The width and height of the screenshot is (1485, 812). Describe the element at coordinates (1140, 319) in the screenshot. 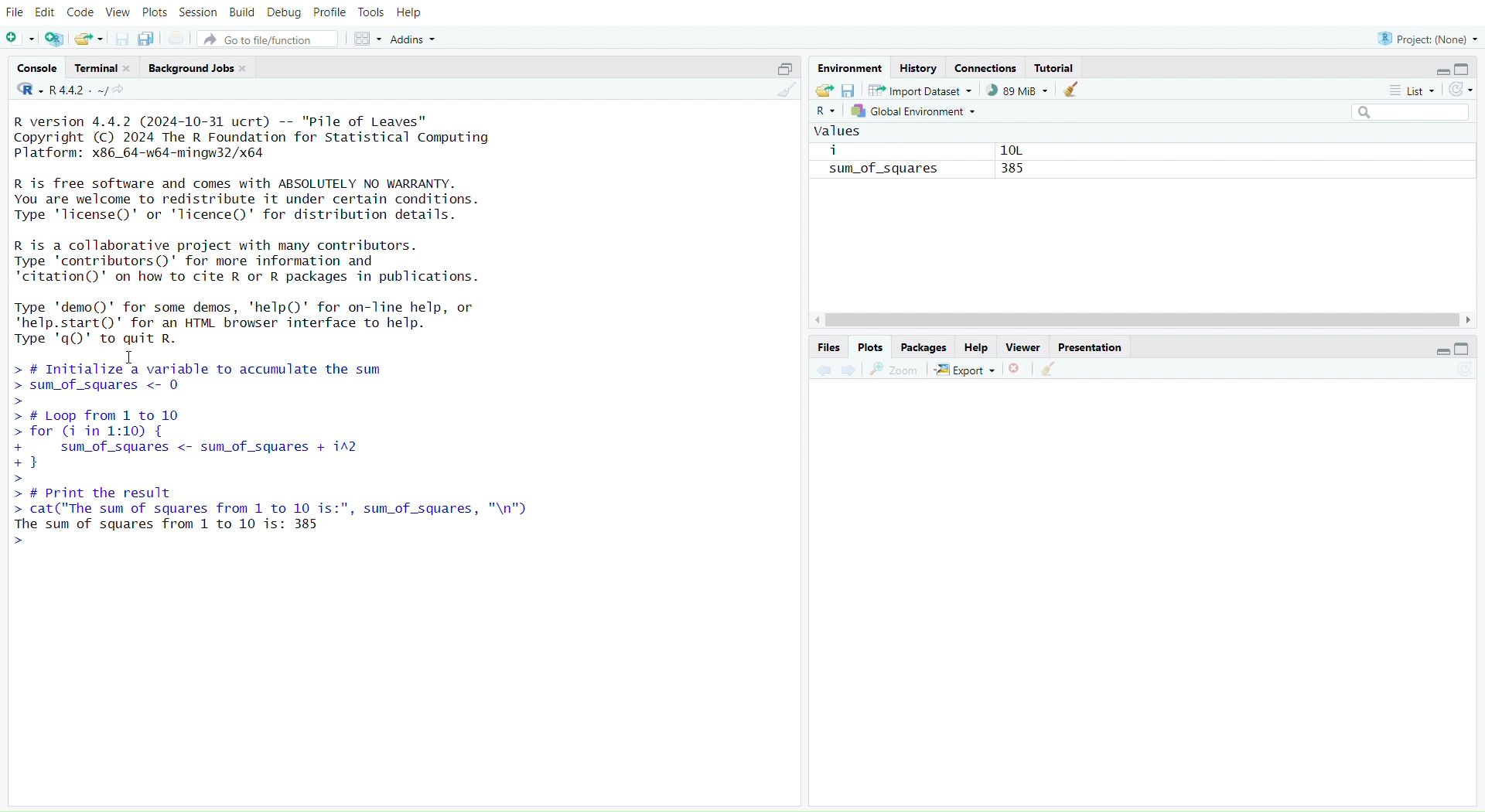

I see `scrollbar` at that location.